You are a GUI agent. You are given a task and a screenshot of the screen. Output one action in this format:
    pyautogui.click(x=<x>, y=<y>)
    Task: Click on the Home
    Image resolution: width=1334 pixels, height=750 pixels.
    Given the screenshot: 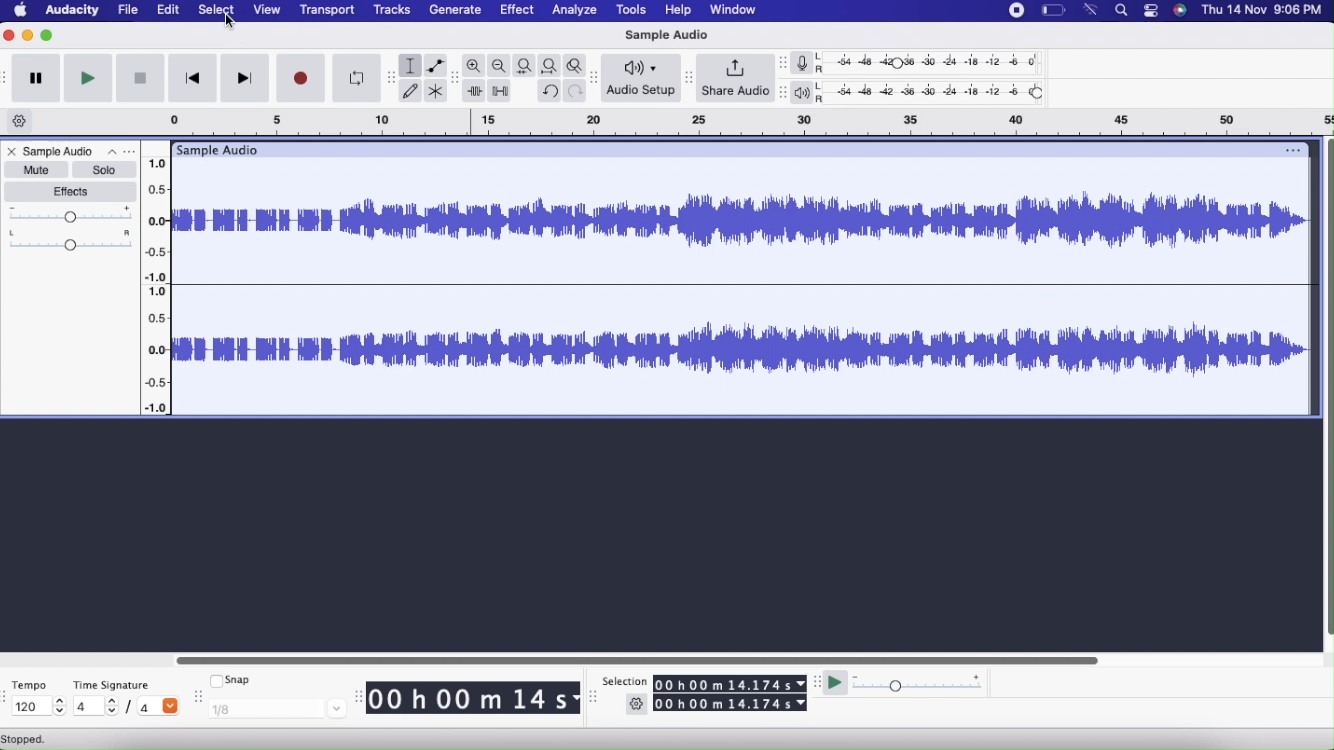 What is the action you would take?
    pyautogui.click(x=22, y=11)
    